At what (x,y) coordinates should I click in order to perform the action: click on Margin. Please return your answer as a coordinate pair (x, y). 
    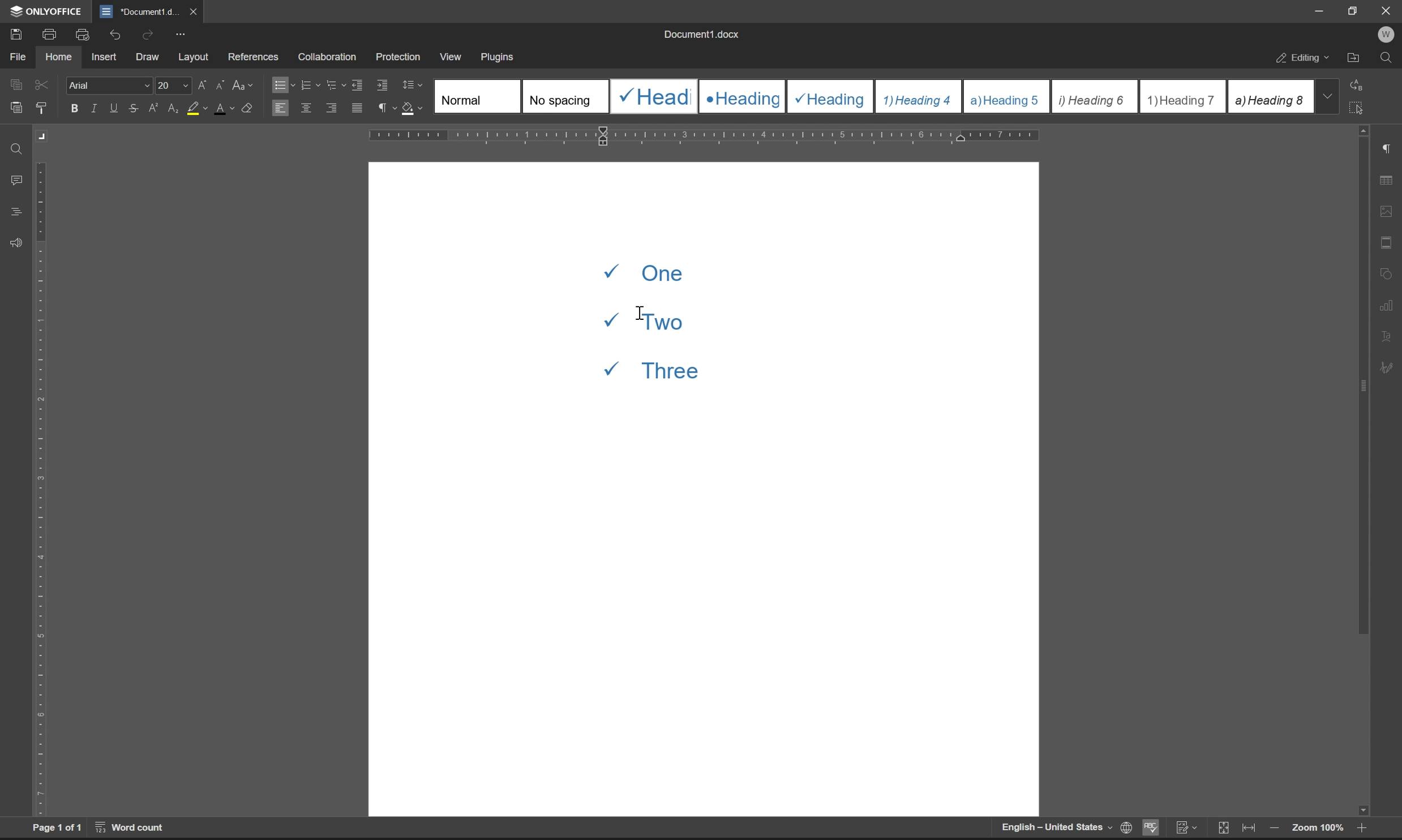
    Looking at the image, I should click on (44, 136).